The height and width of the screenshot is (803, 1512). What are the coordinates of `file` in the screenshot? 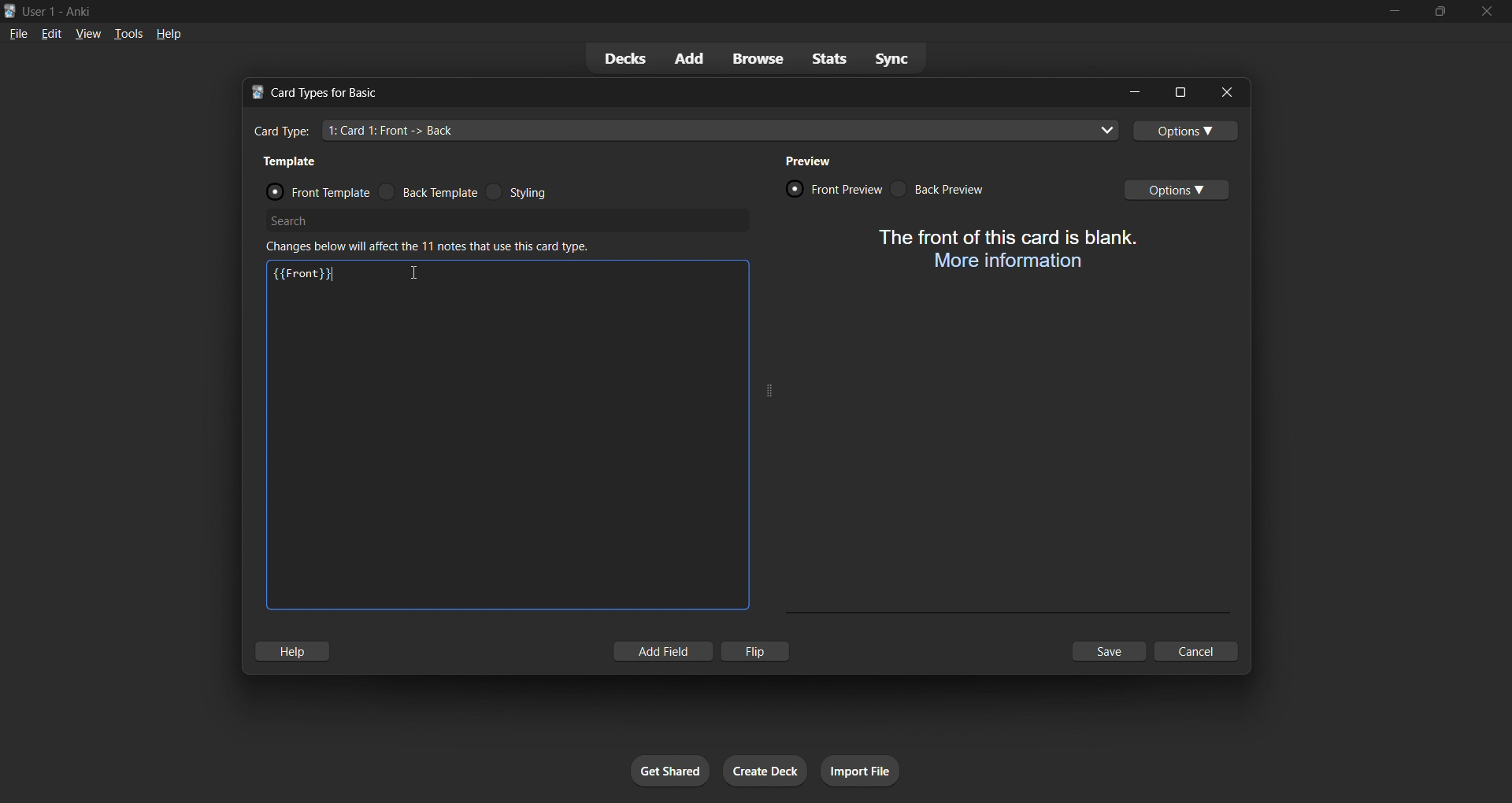 It's located at (20, 33).